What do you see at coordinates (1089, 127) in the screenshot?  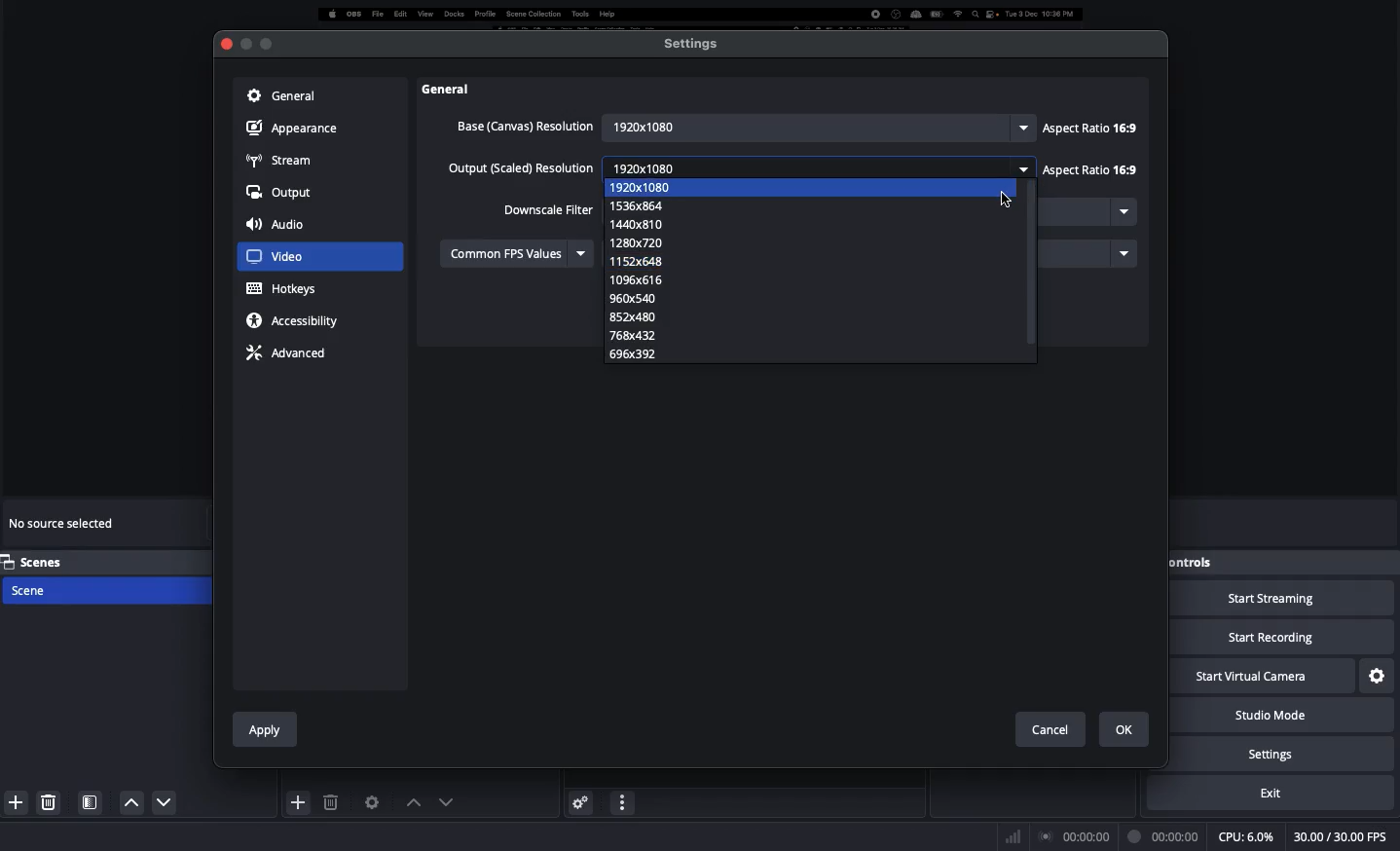 I see `~ Aspect Ratio 16:9` at bounding box center [1089, 127].